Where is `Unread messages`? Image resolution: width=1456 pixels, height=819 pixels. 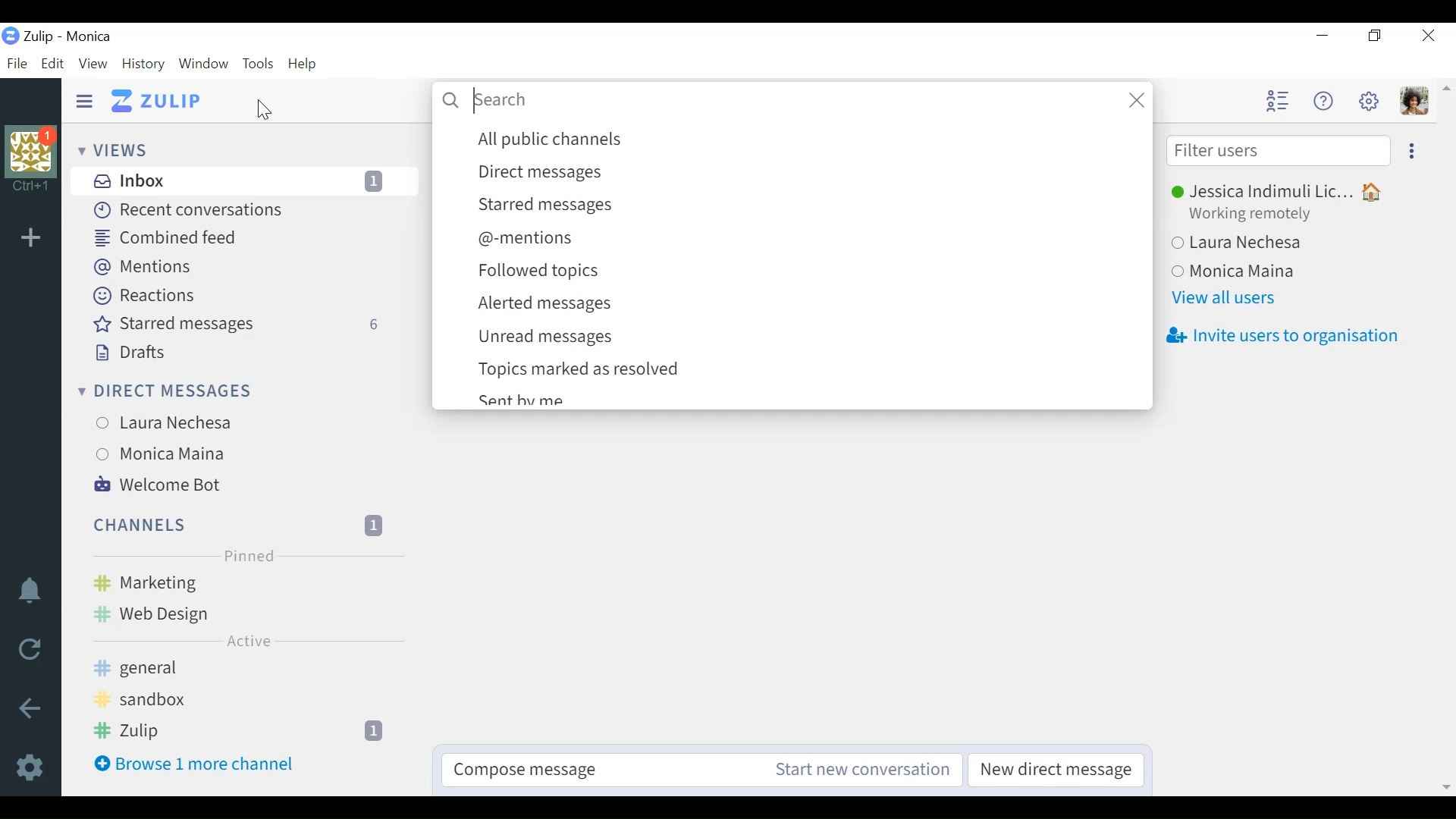 Unread messages is located at coordinates (804, 337).